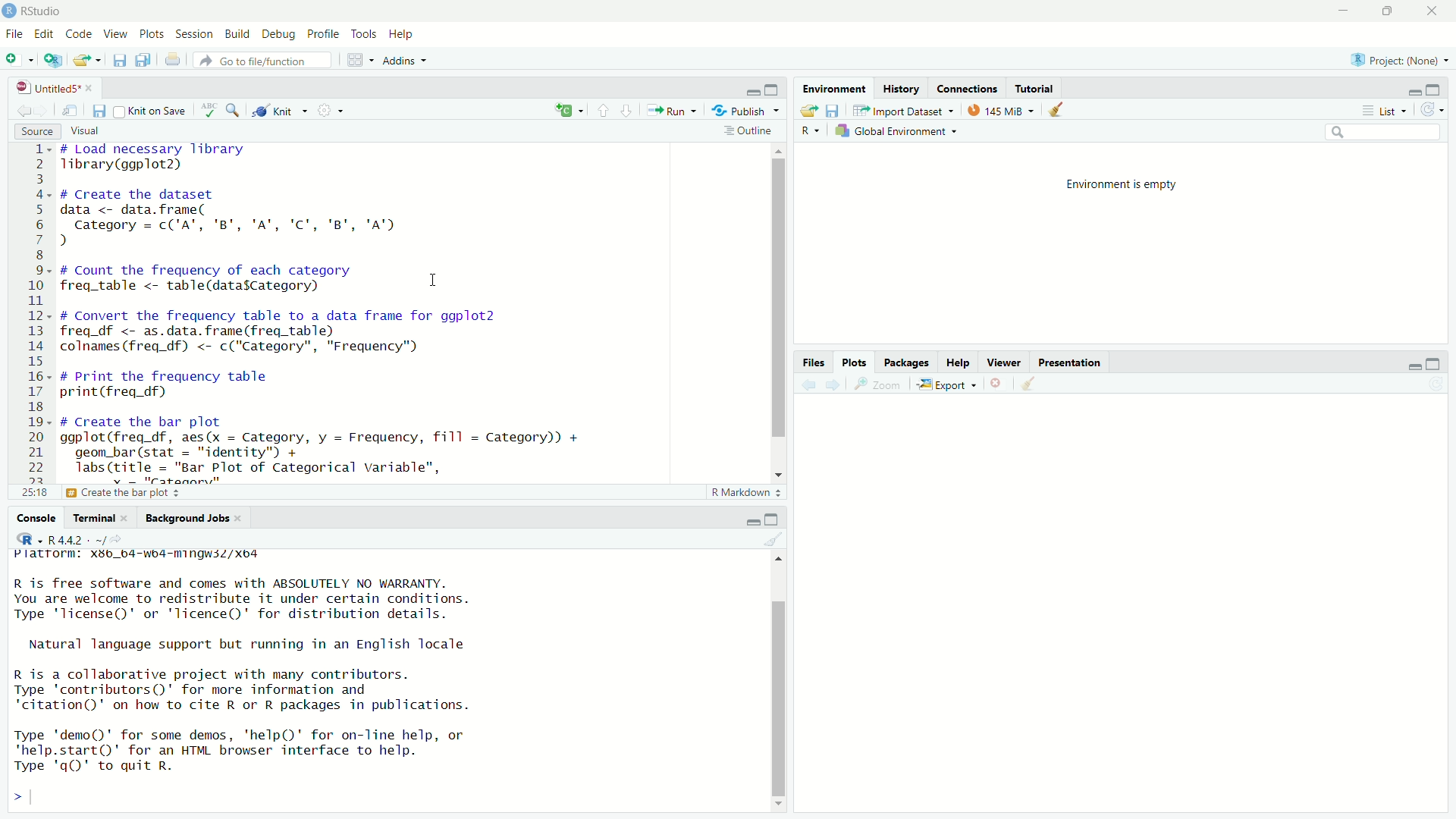  I want to click on R 4.4.2 . ~/, so click(79, 540).